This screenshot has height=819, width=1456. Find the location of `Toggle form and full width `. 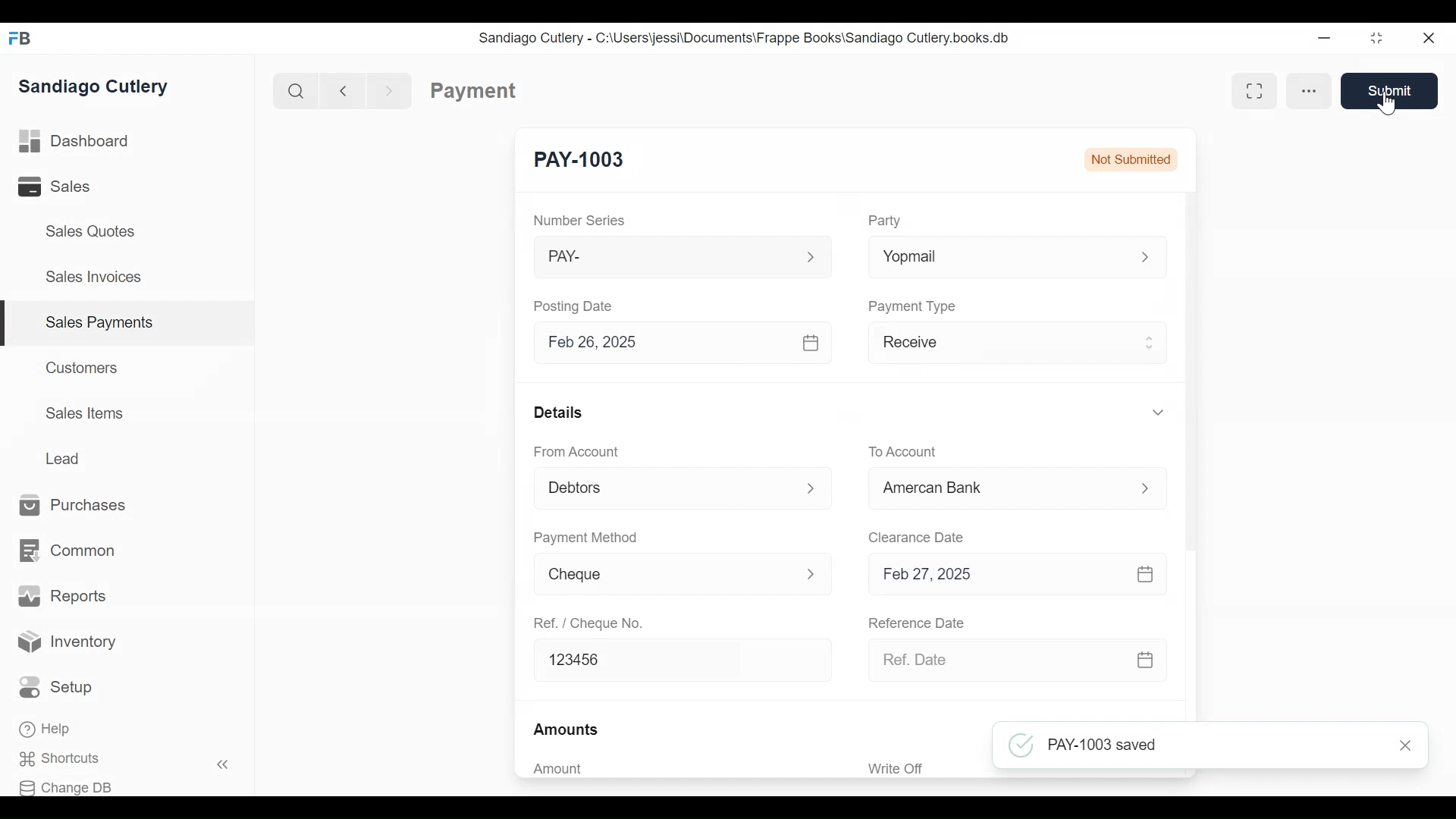

Toggle form and full width  is located at coordinates (1255, 92).